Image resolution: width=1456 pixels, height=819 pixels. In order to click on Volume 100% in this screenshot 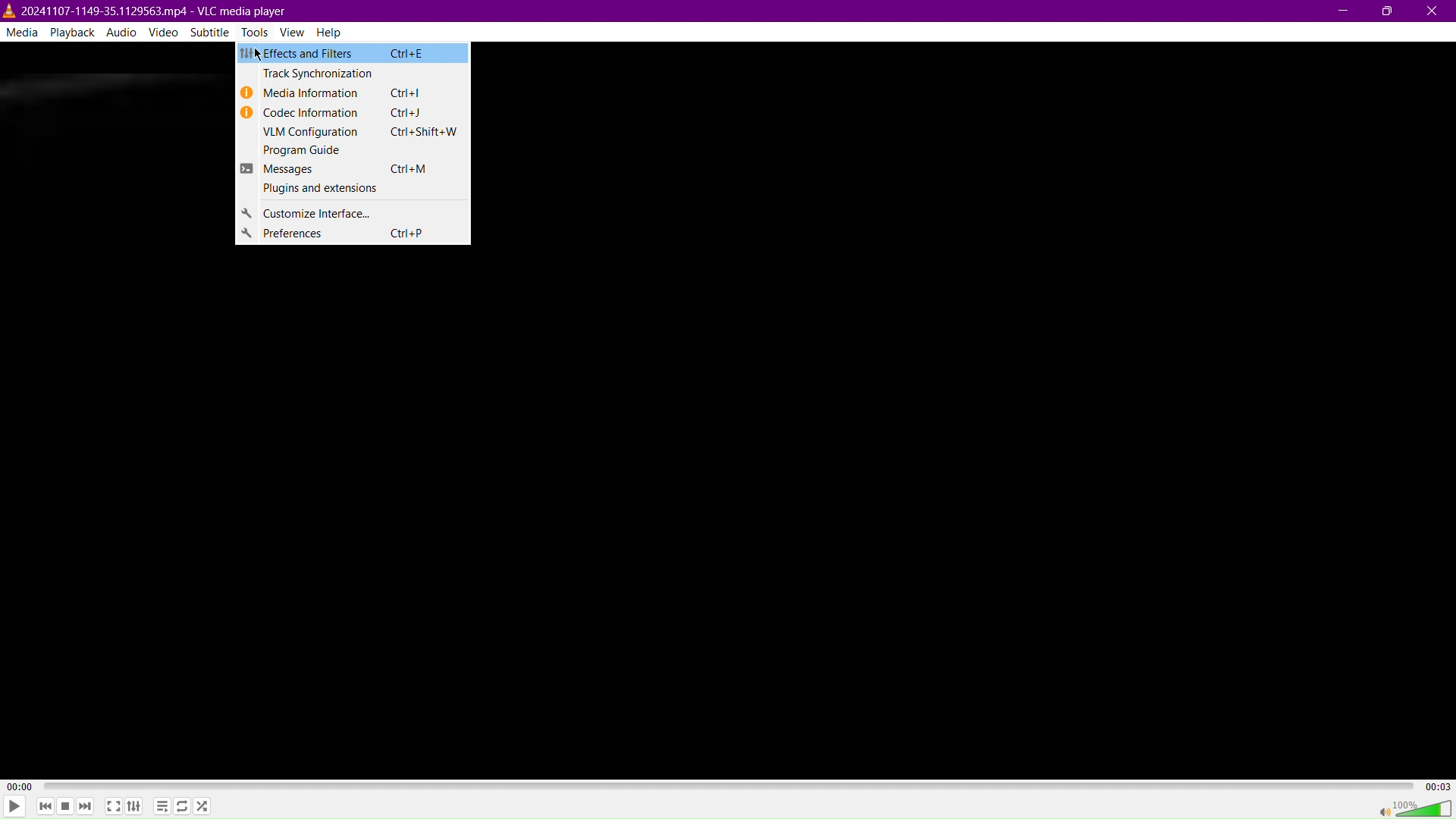, I will do `click(1414, 808)`.